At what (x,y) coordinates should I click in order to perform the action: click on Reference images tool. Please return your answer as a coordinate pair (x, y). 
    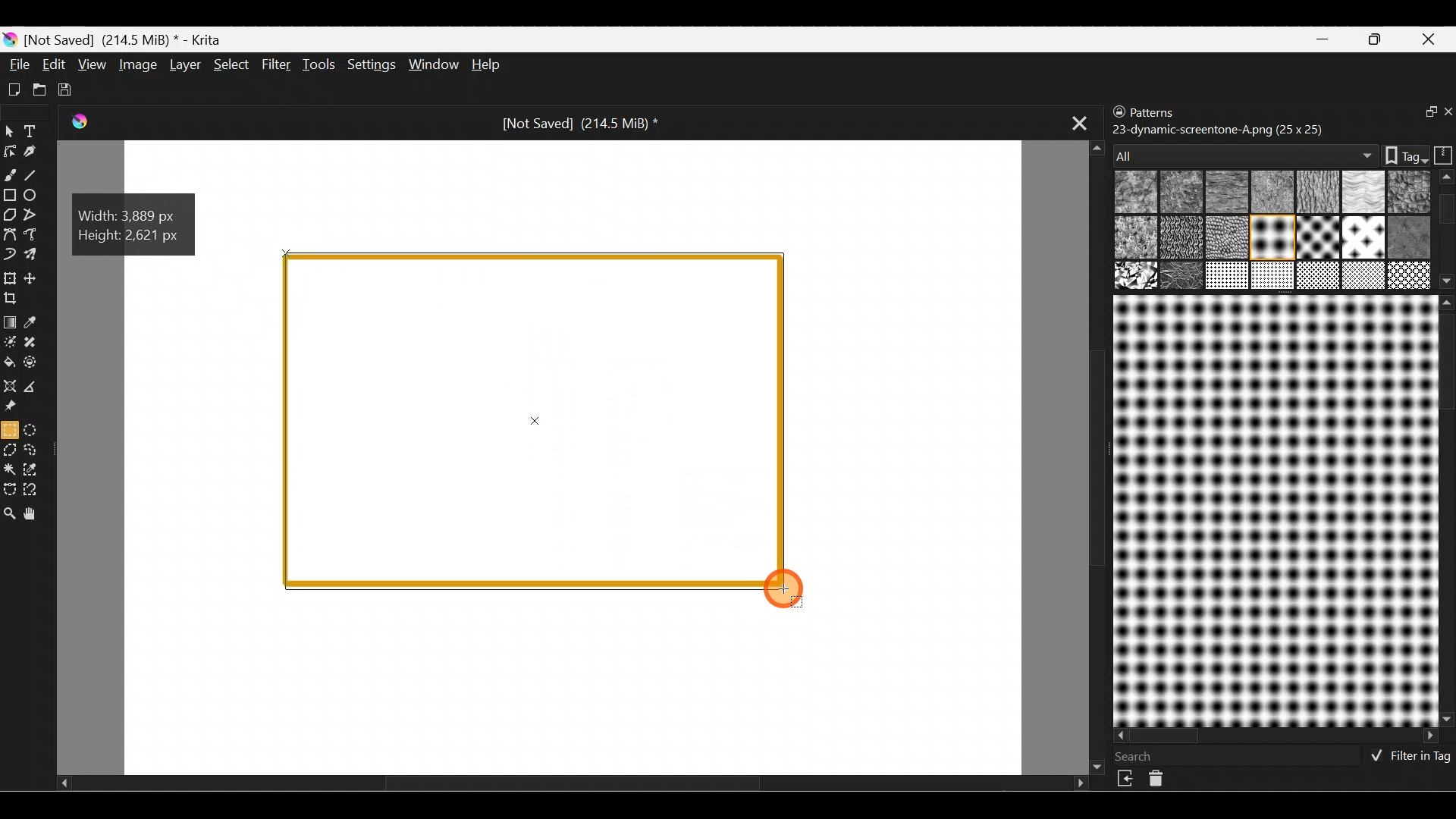
    Looking at the image, I should click on (17, 406).